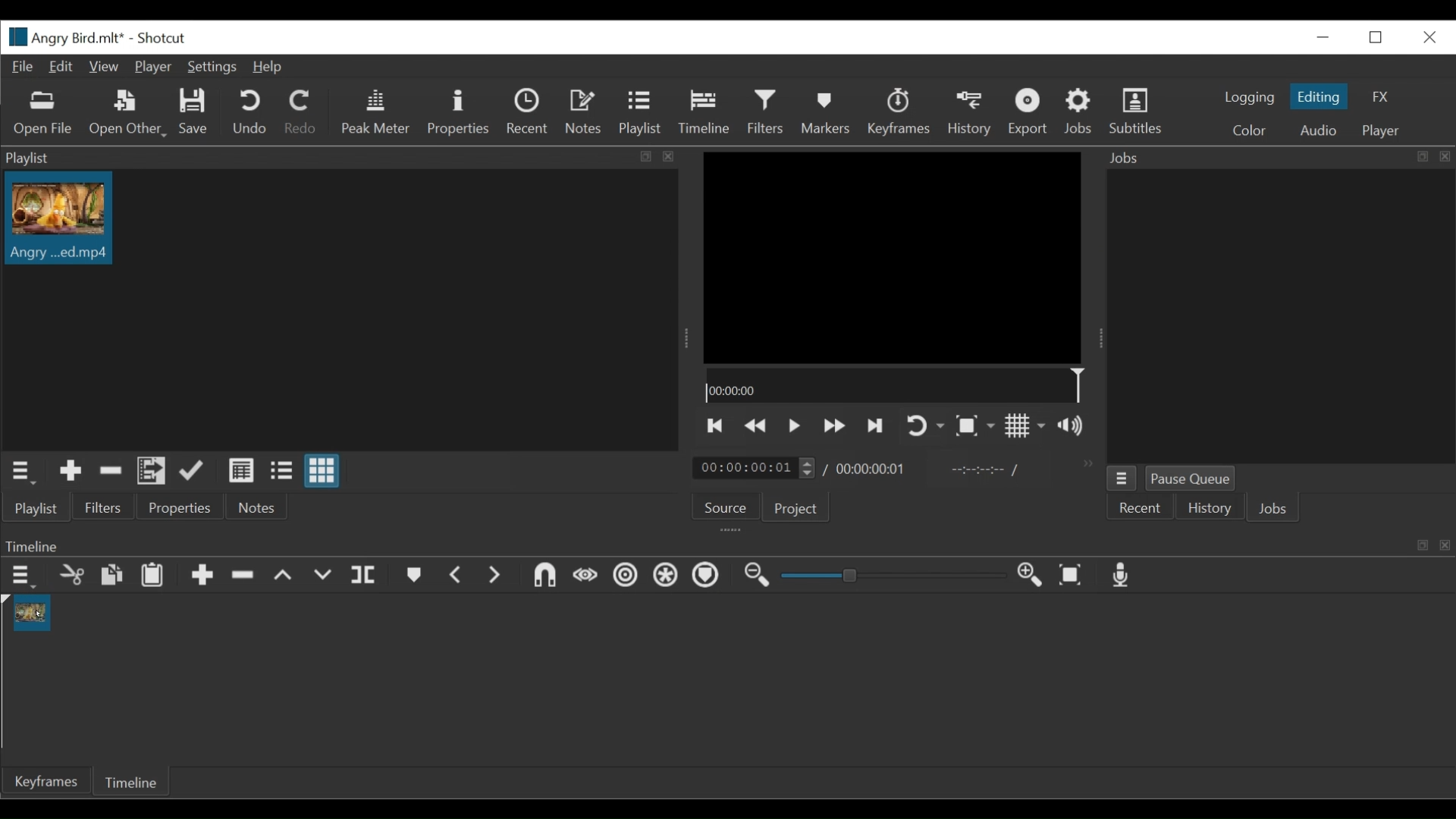 This screenshot has height=819, width=1456. Describe the element at coordinates (245, 576) in the screenshot. I see `Ripple Delete` at that location.